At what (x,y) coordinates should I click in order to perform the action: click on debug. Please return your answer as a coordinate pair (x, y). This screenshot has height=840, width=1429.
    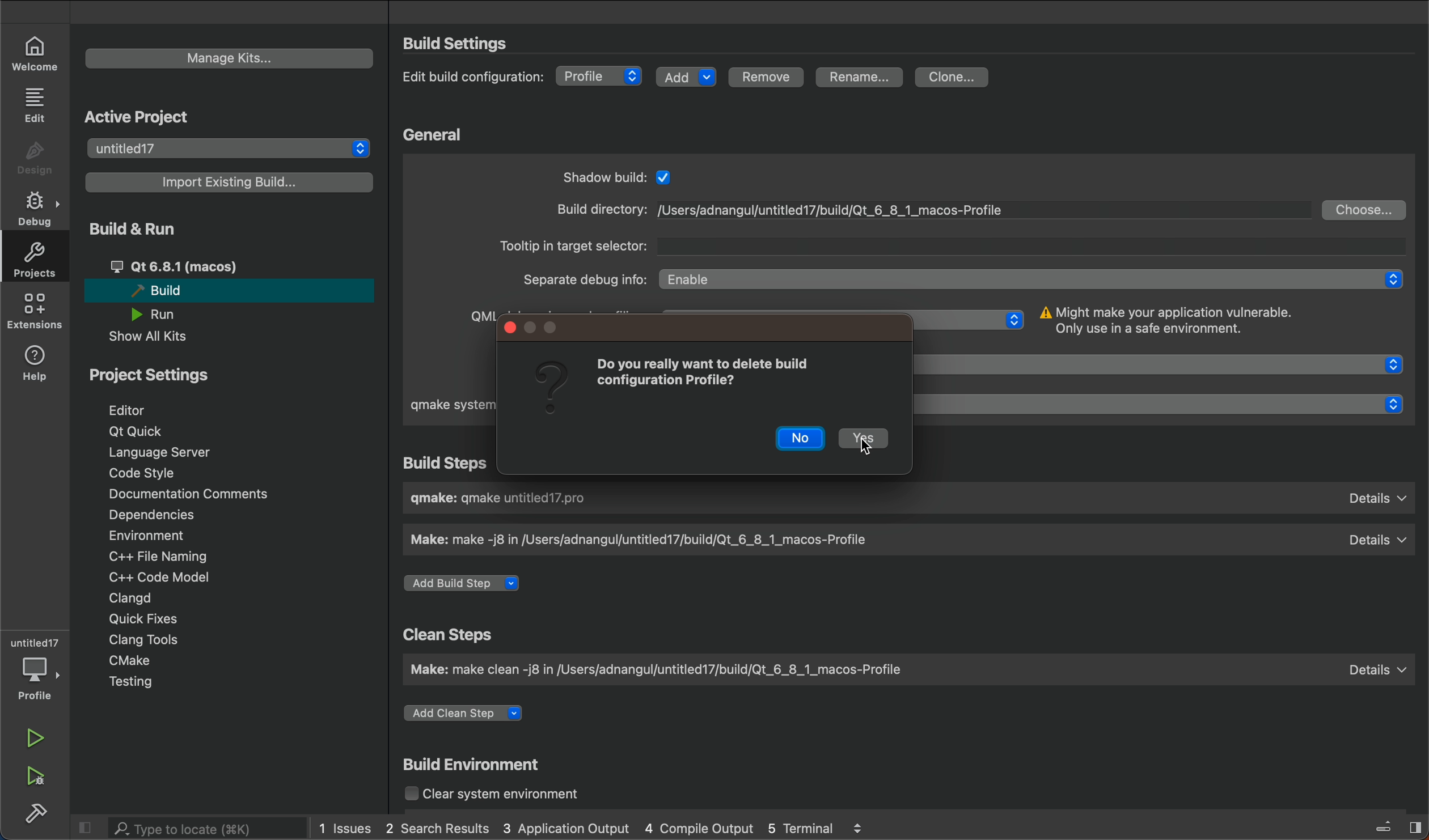
    Looking at the image, I should click on (36, 211).